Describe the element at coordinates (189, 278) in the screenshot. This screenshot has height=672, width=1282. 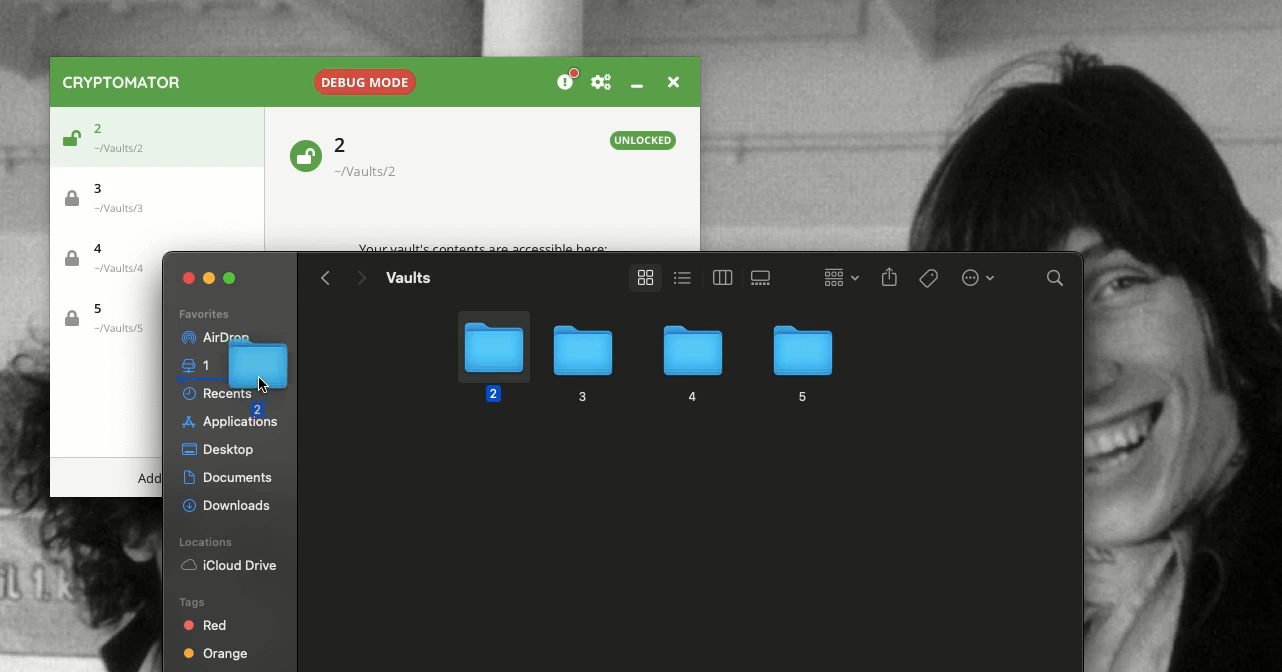
I see `Close` at that location.